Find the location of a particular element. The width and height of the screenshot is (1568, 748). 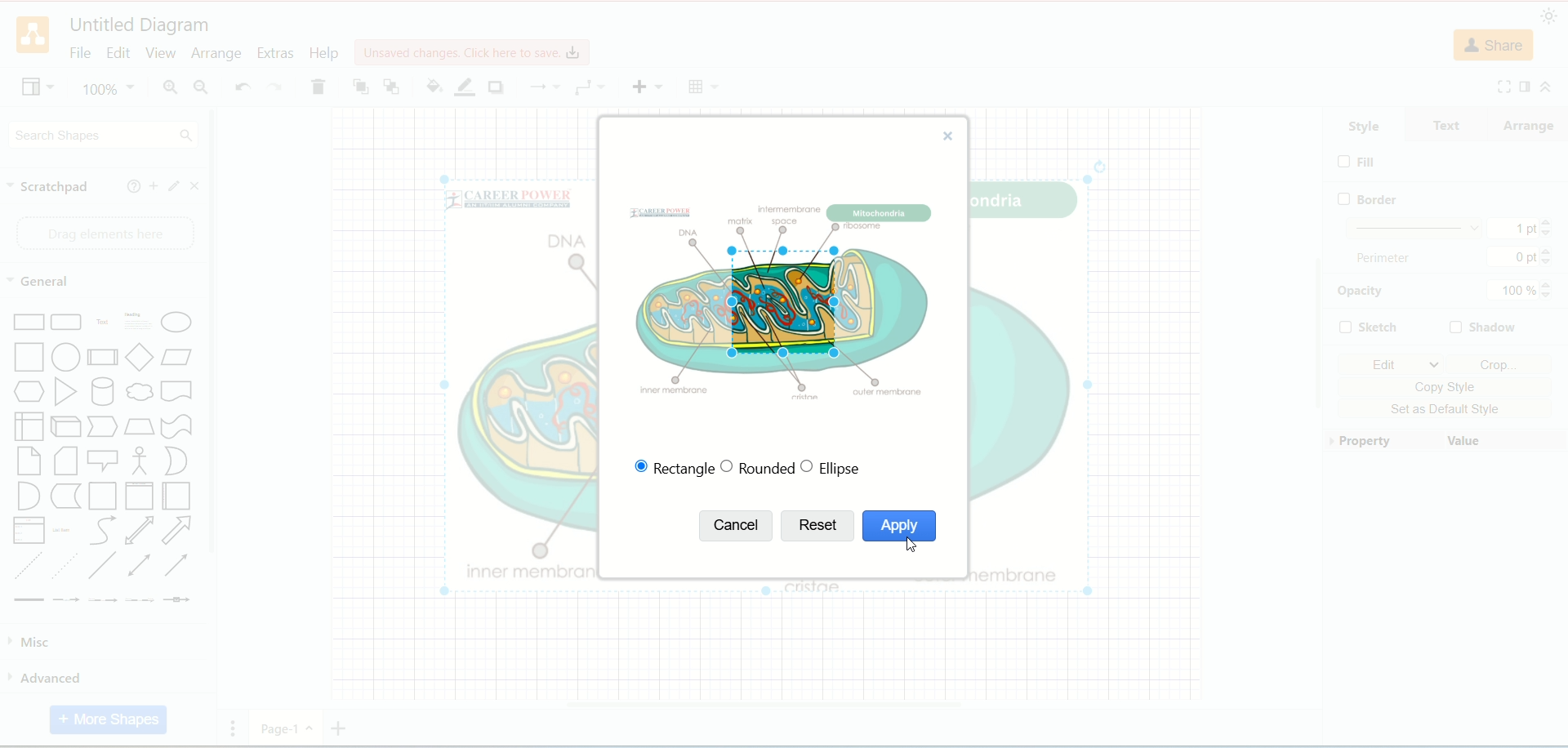

help is located at coordinates (325, 52).